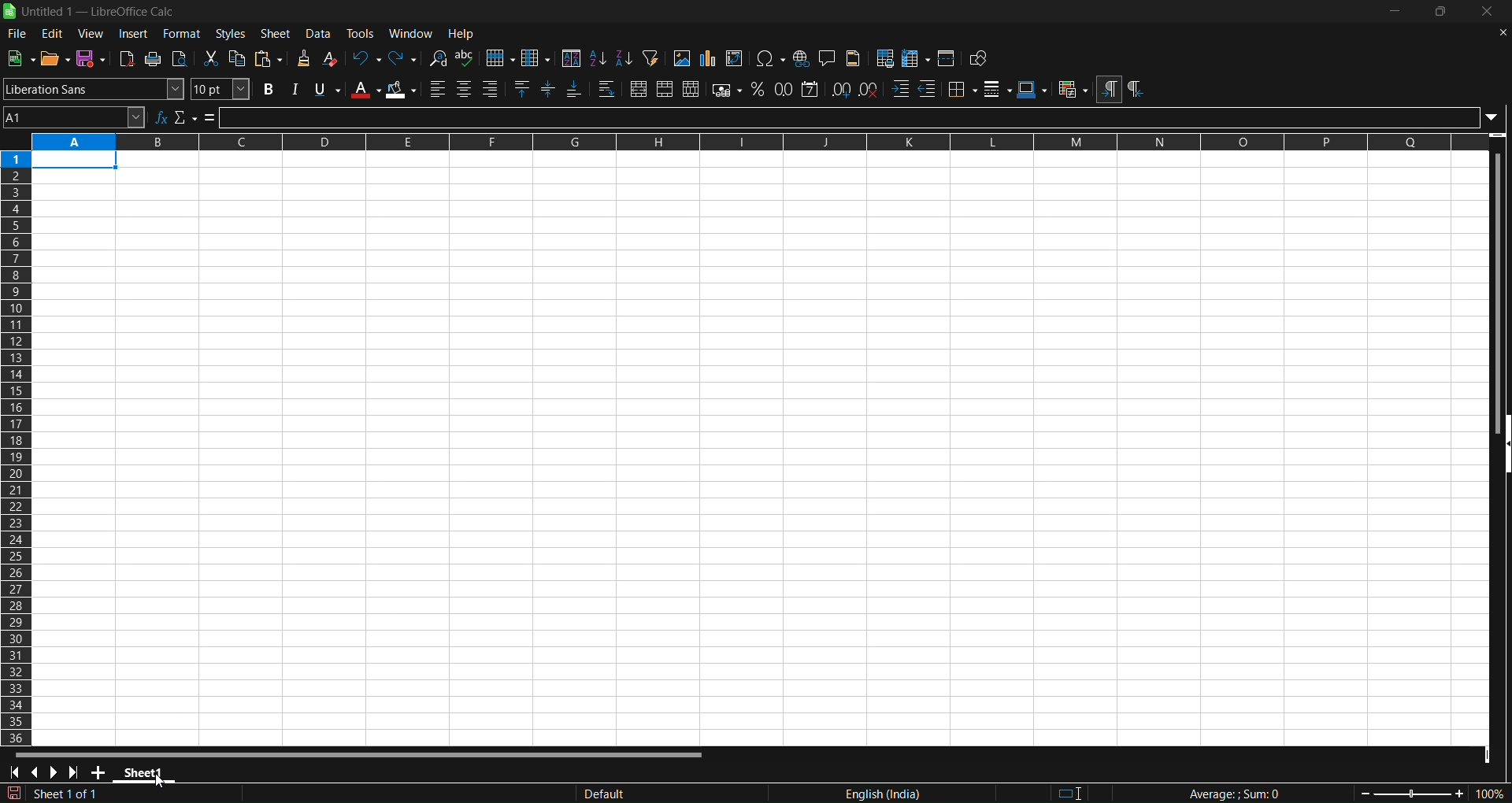 This screenshot has height=803, width=1512. Describe the element at coordinates (147, 775) in the screenshot. I see `sheet 1` at that location.